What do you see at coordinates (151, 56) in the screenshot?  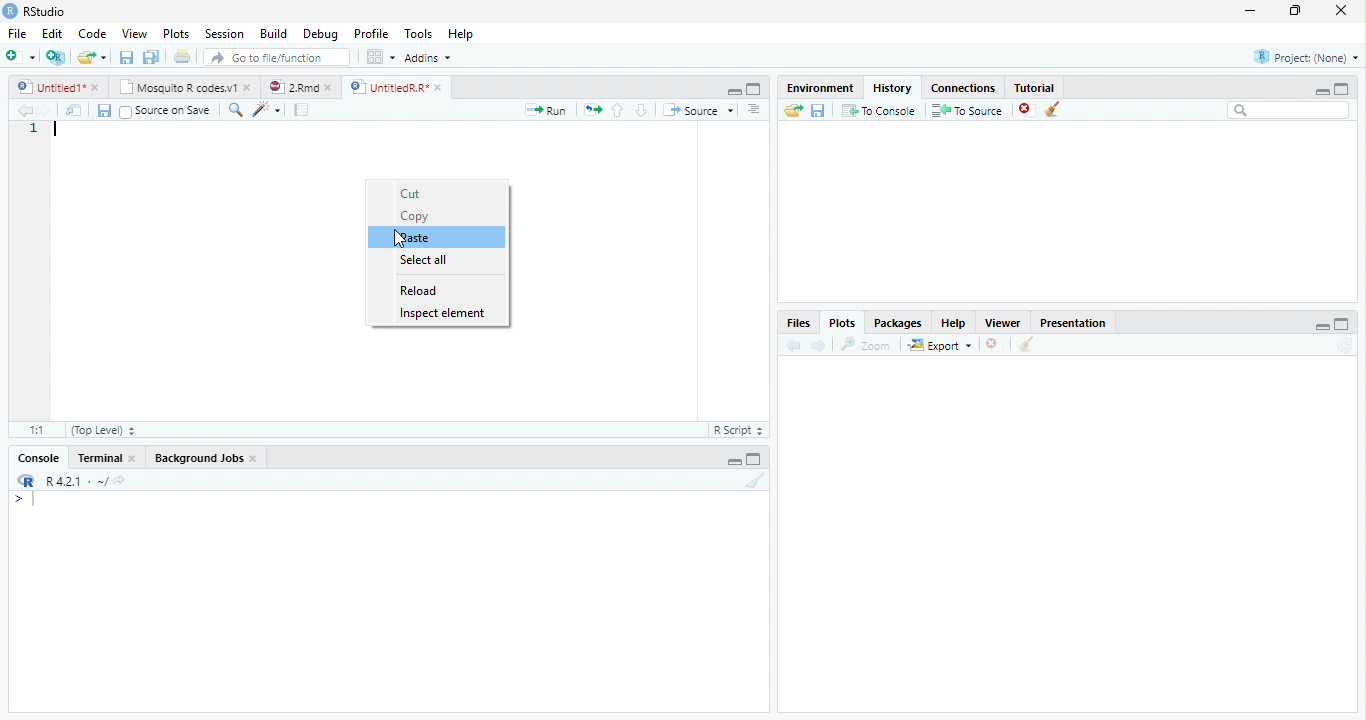 I see `save all open document` at bounding box center [151, 56].